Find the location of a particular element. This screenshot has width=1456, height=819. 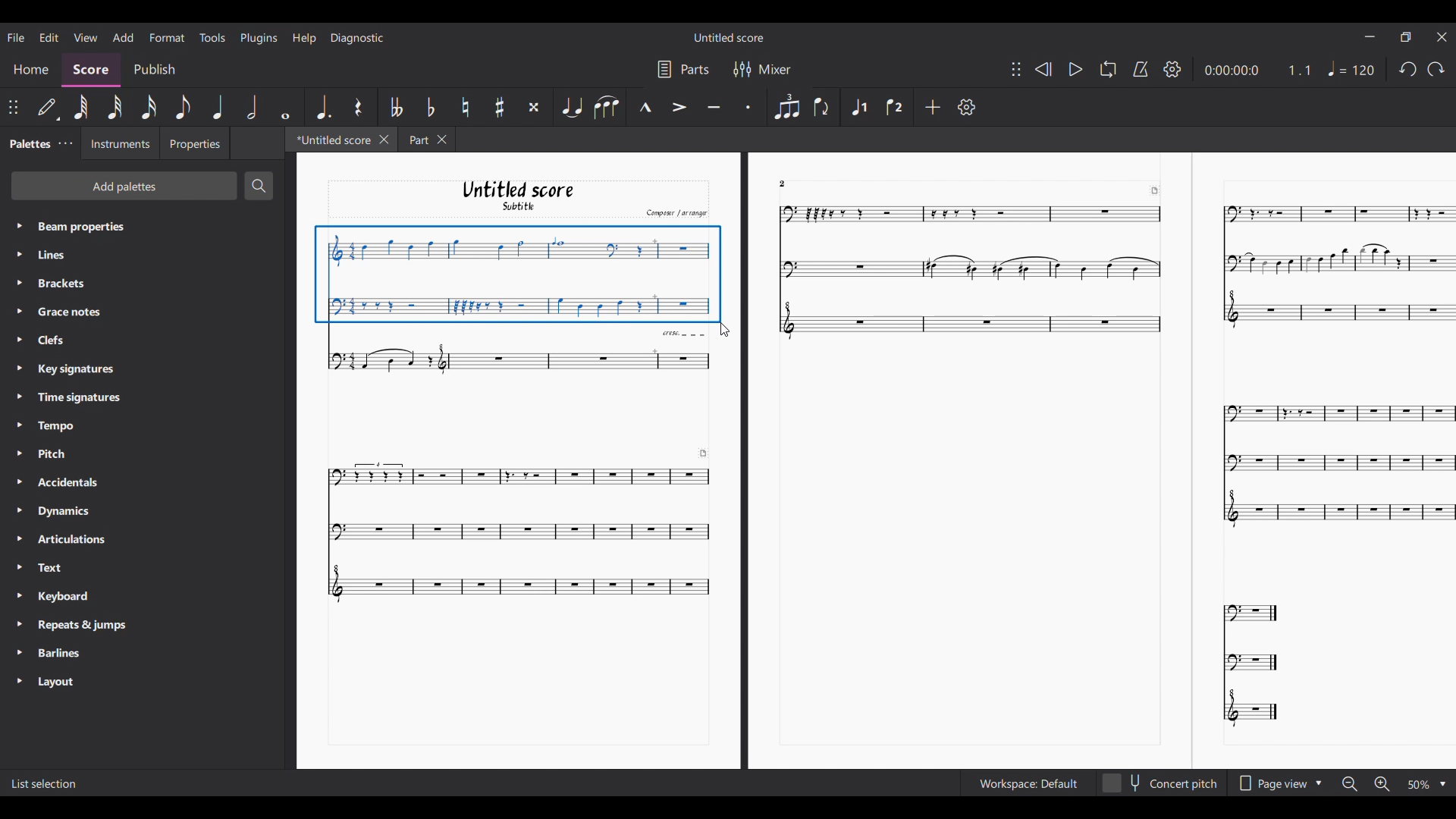

Properties is located at coordinates (194, 143).